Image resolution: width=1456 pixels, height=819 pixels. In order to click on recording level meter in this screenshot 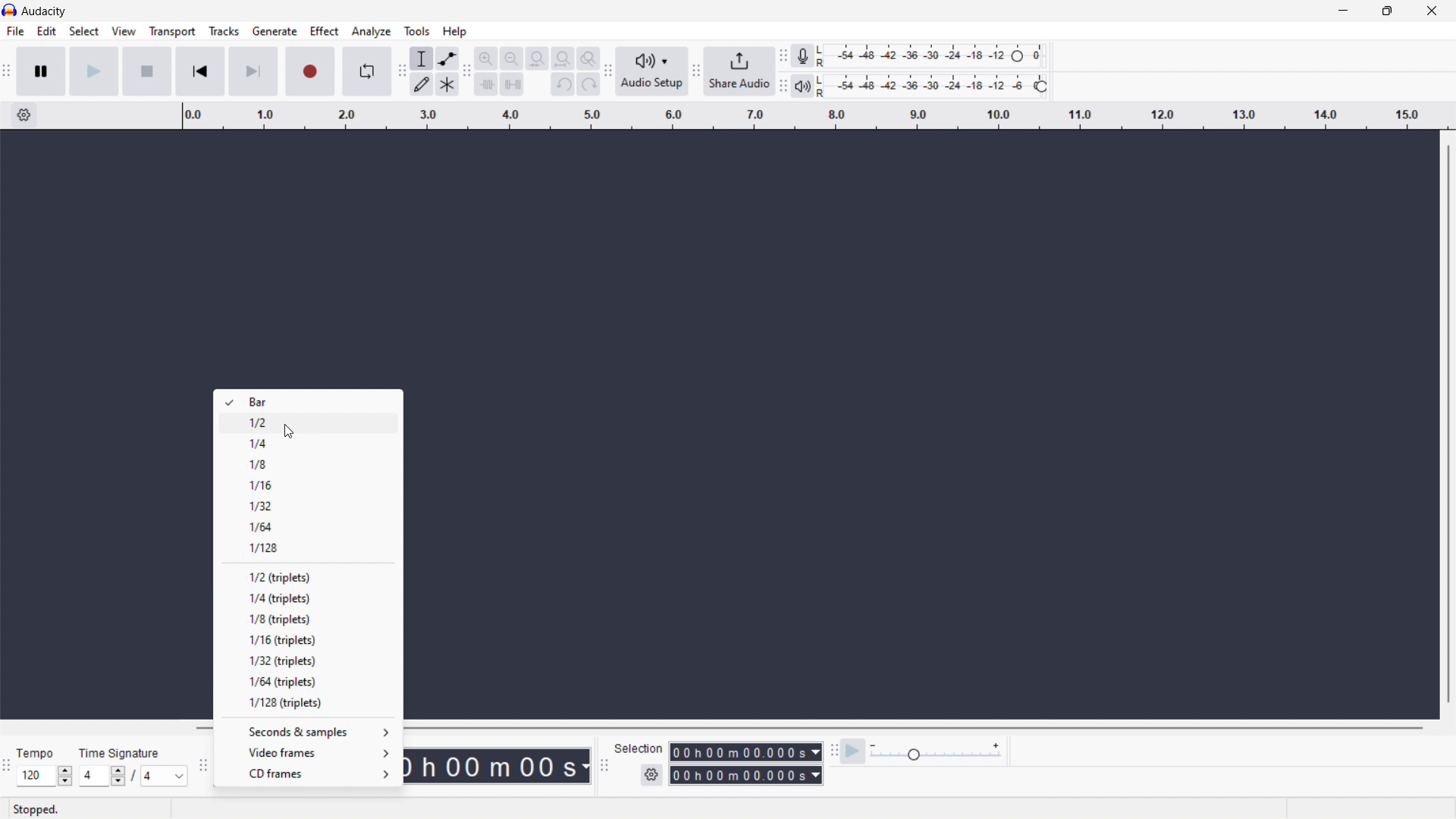, I will do `click(933, 56)`.